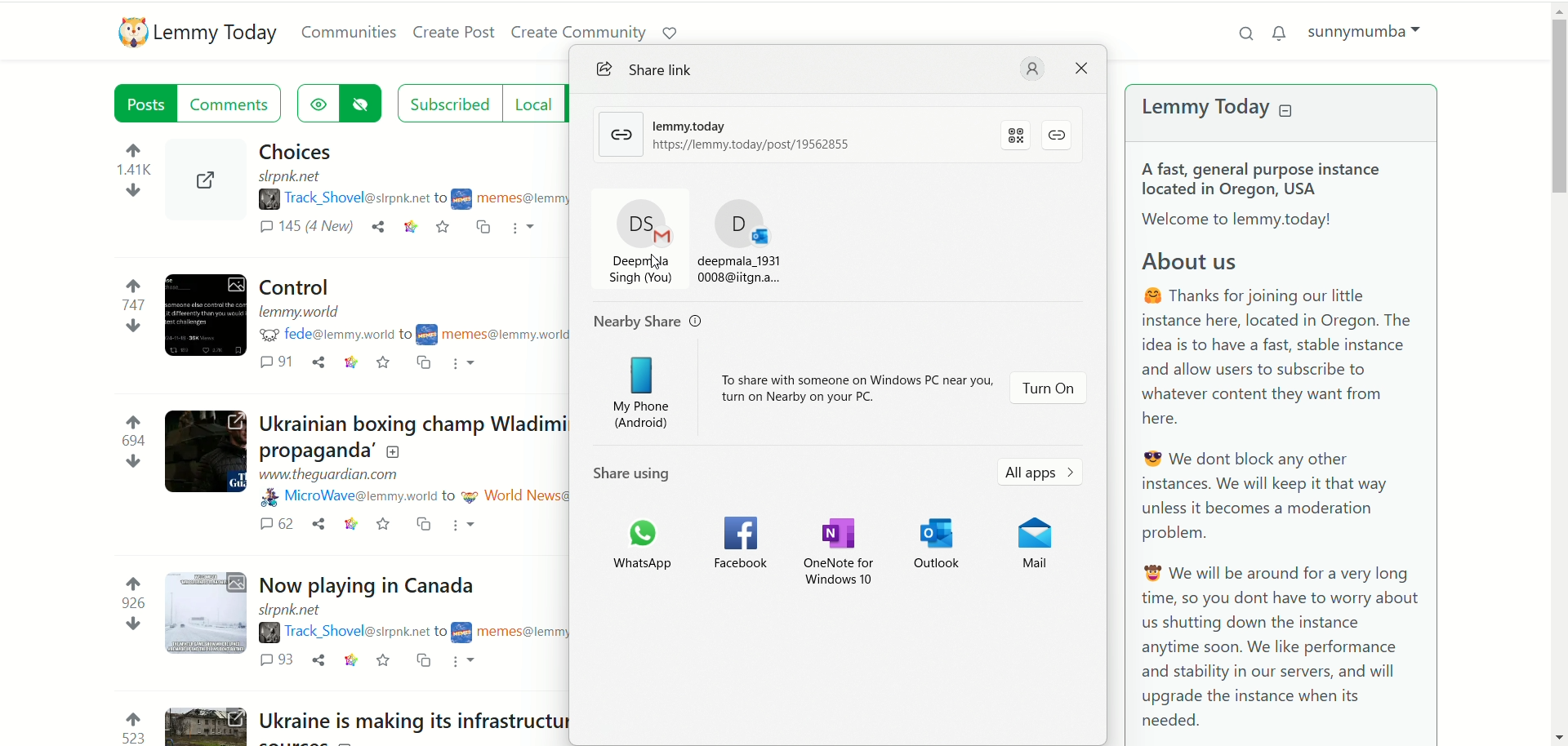 The width and height of the screenshot is (1568, 746). I want to click on vertical scroll bar, so click(1555, 371).